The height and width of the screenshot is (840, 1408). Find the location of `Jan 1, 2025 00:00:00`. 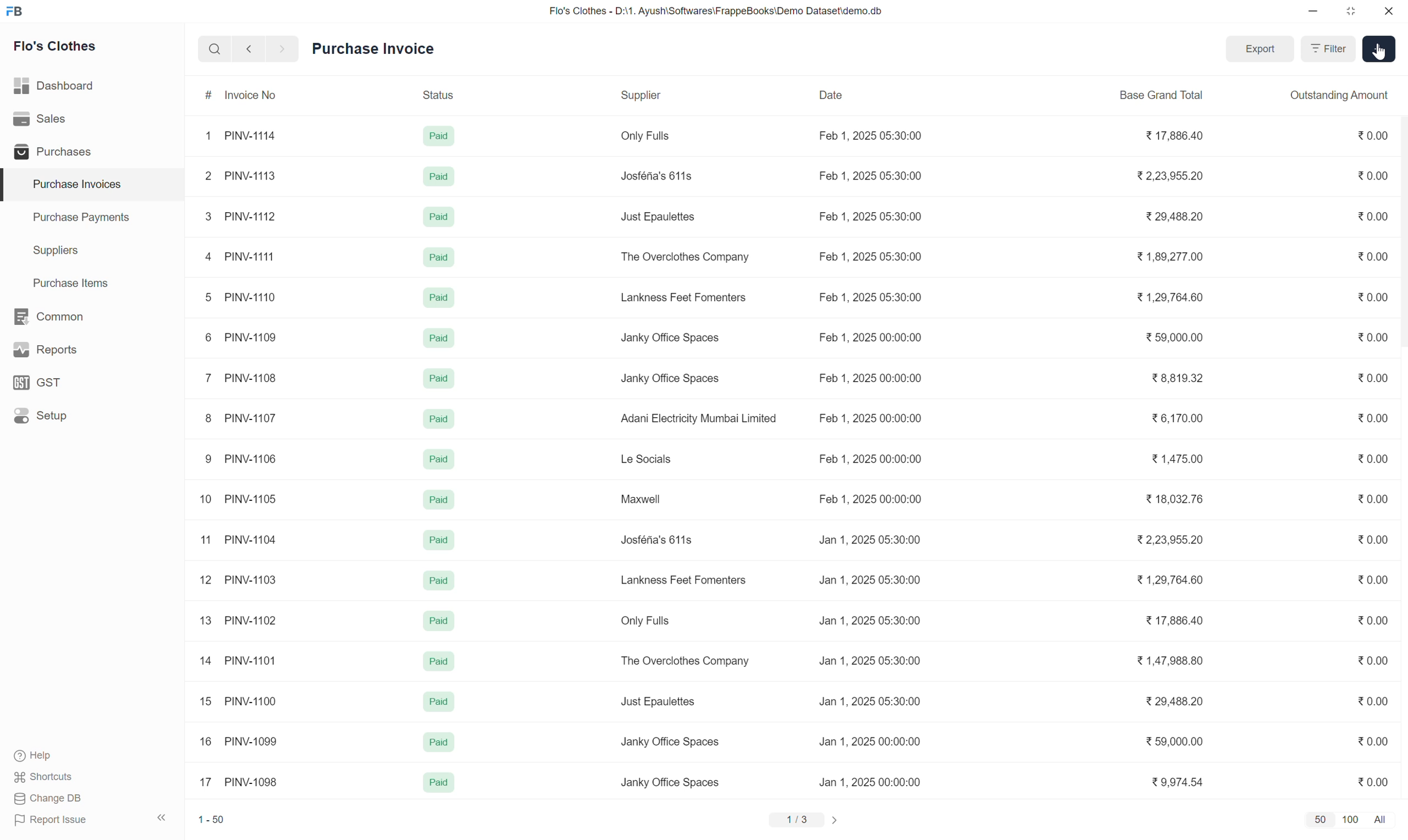

Jan 1, 2025 00:00:00 is located at coordinates (870, 782).